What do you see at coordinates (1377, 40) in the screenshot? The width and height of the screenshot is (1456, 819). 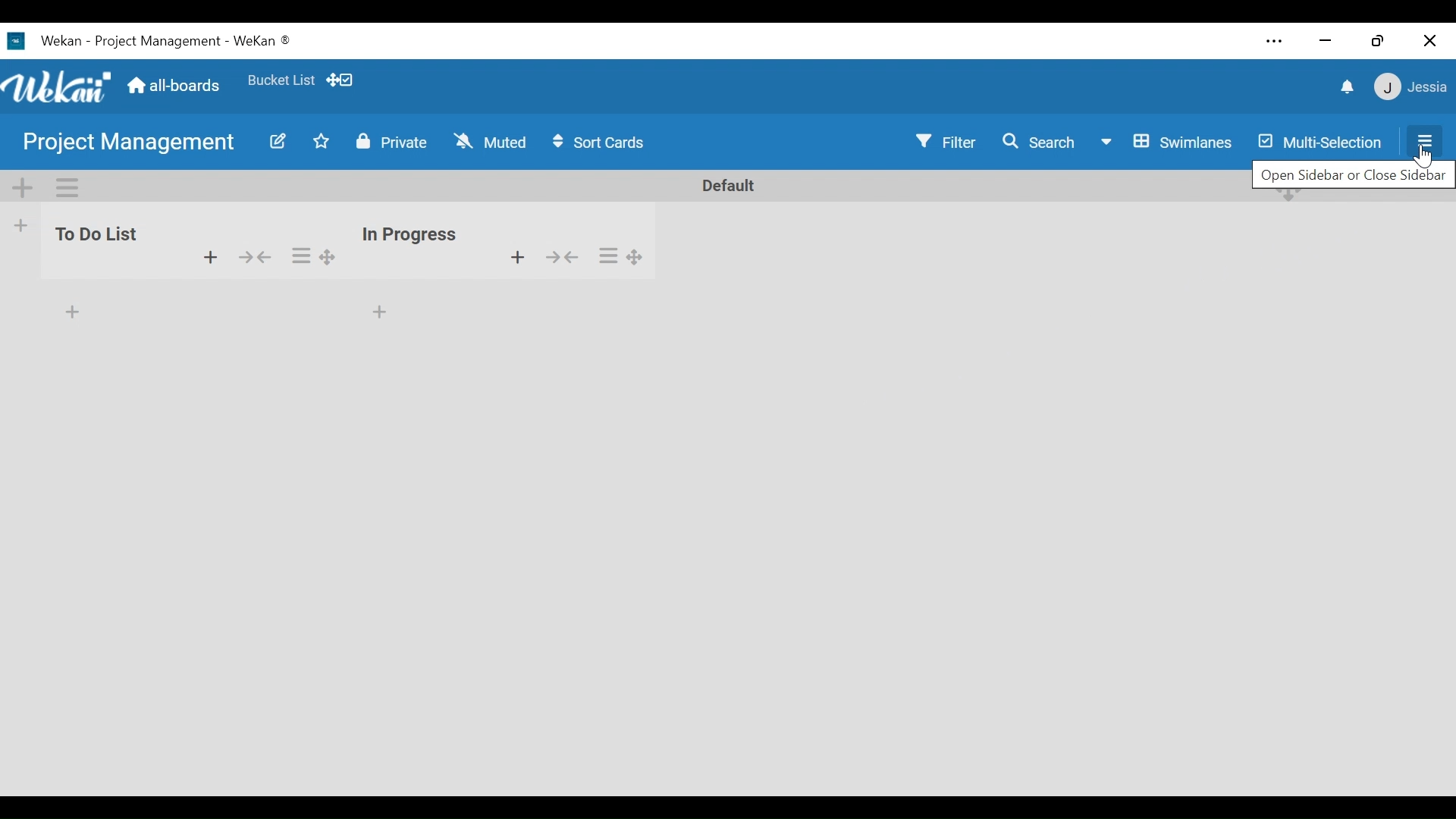 I see `restore` at bounding box center [1377, 40].